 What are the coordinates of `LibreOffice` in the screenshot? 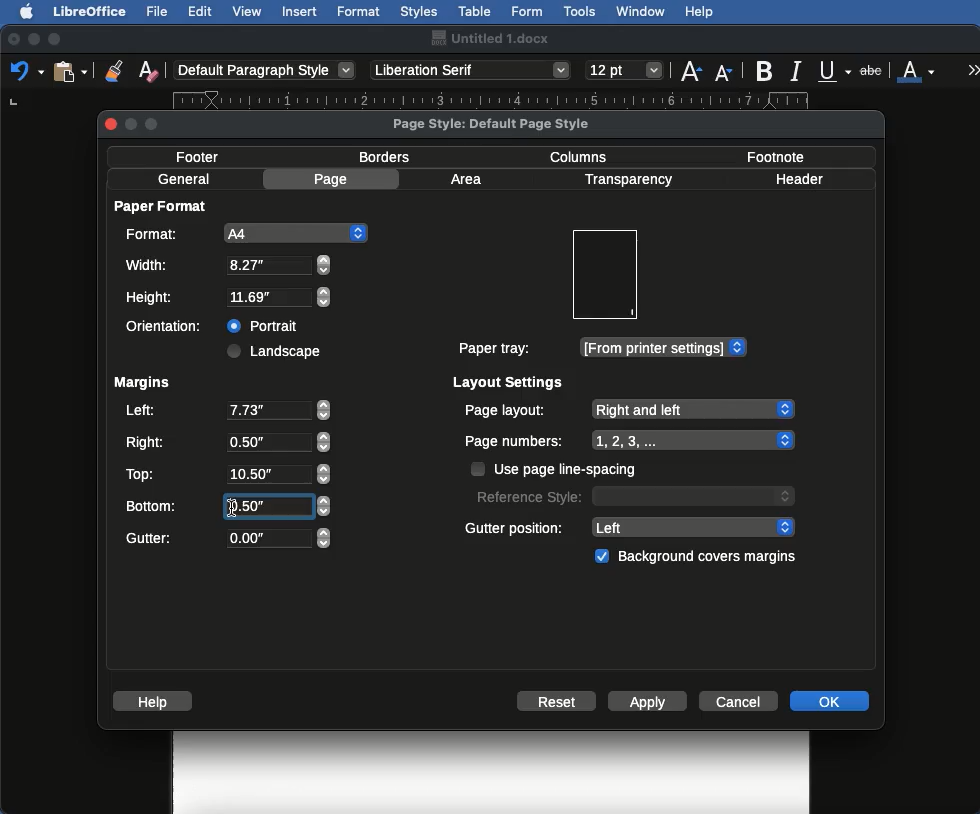 It's located at (89, 11).